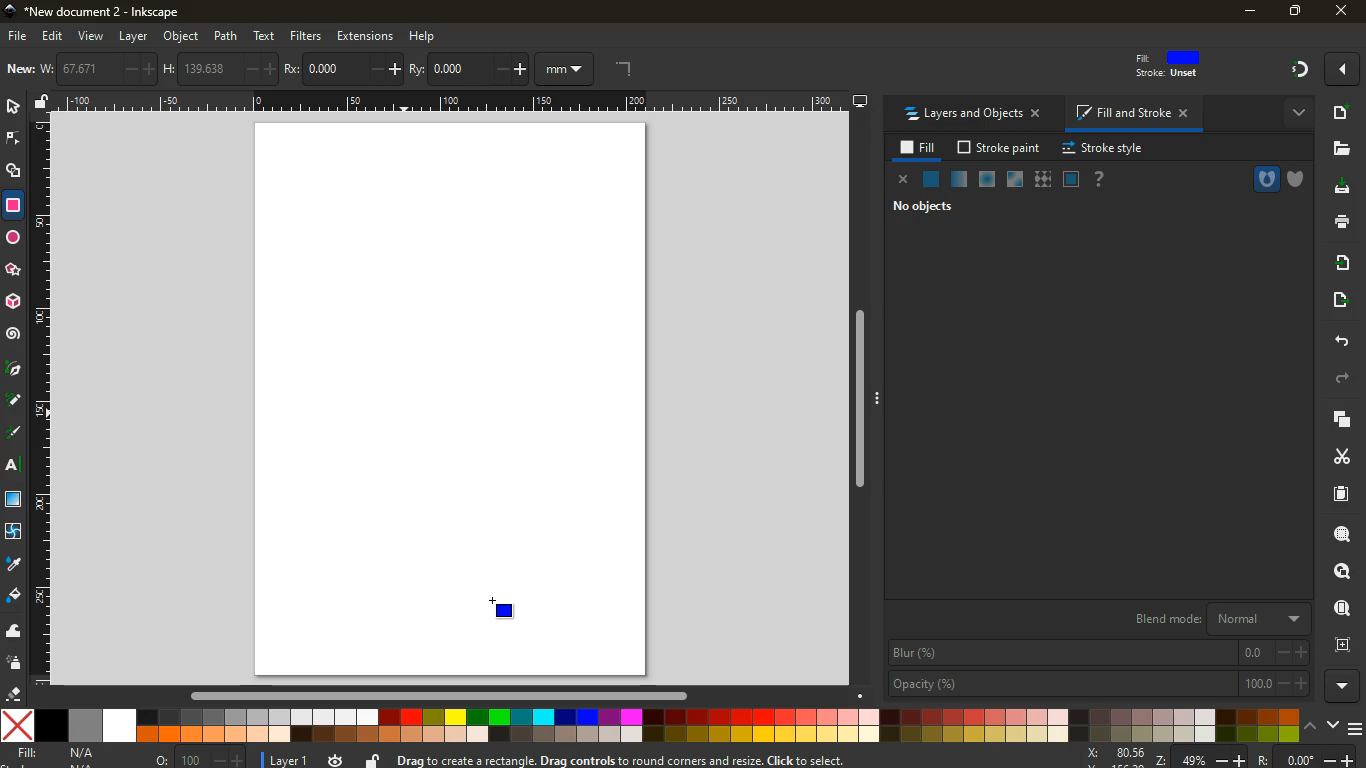 The image size is (1366, 768). I want to click on minimize, so click(1248, 12).